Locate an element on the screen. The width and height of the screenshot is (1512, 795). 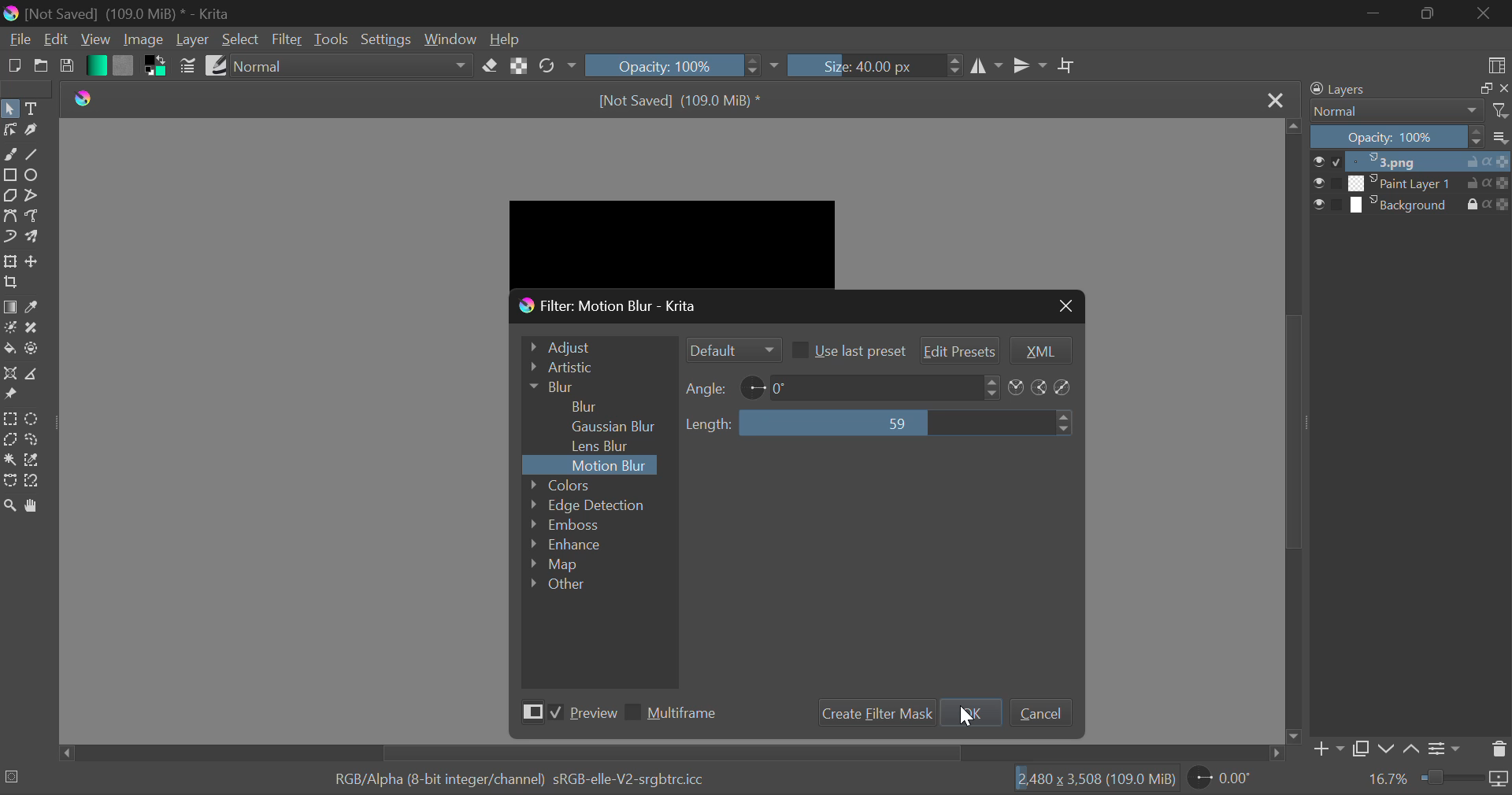
Settings is located at coordinates (384, 38).